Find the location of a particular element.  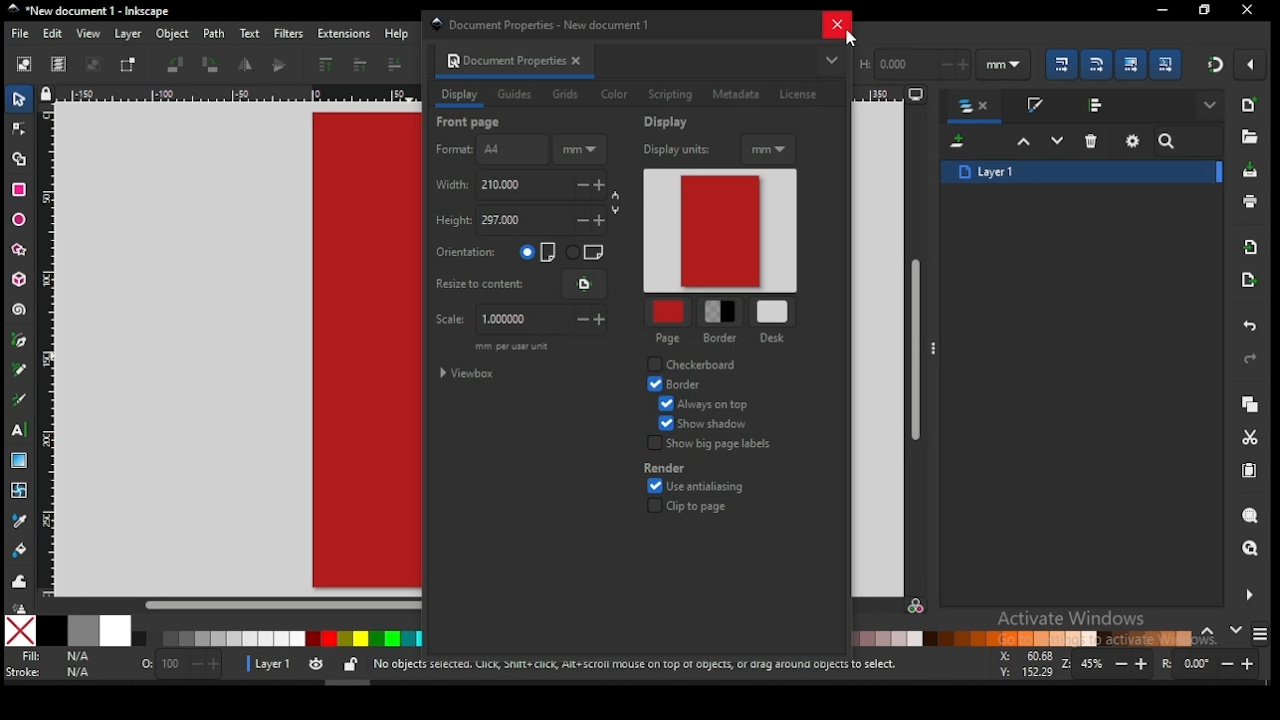

none is located at coordinates (20, 631).